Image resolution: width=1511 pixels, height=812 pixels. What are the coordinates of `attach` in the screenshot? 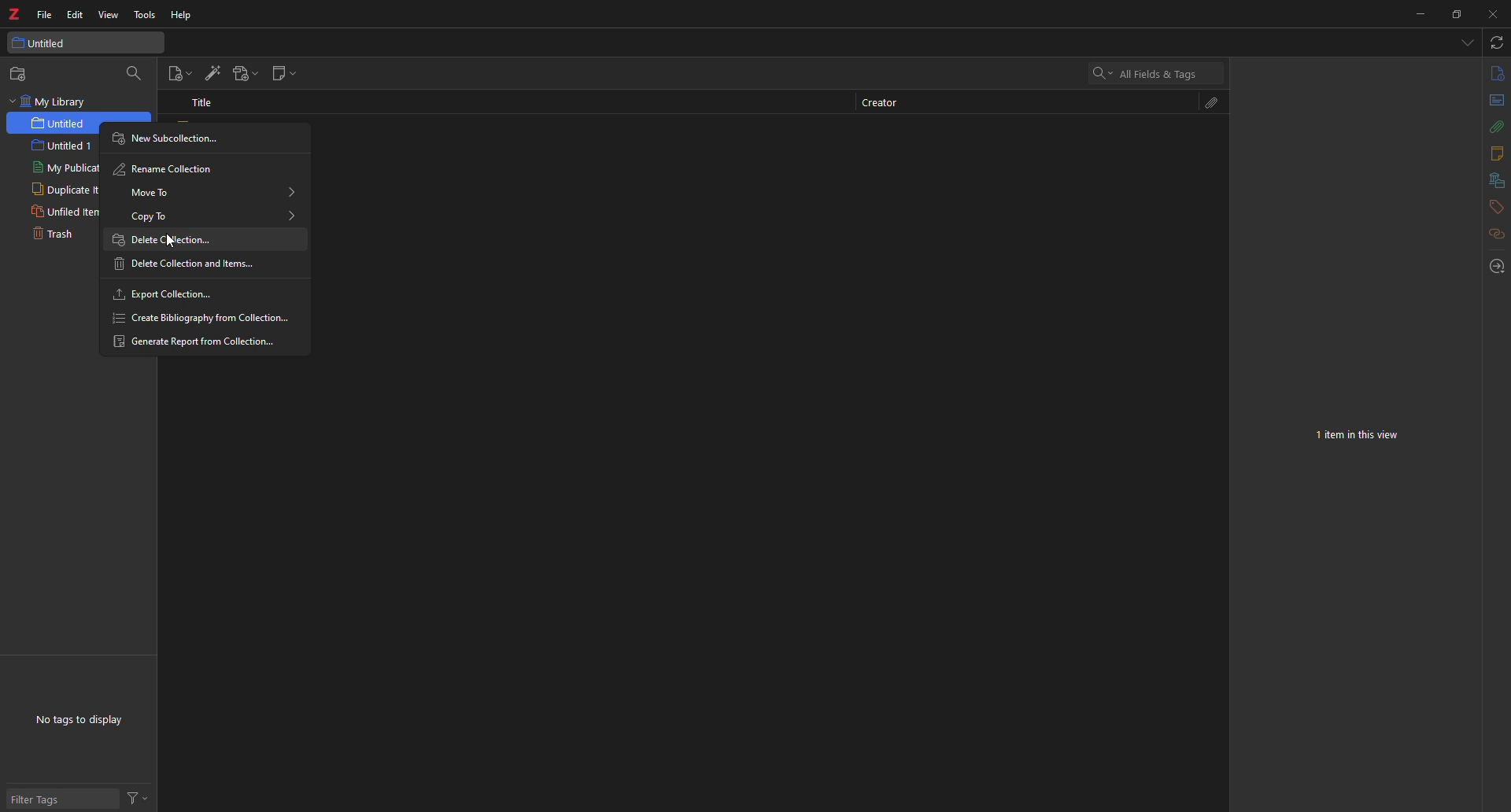 It's located at (1491, 127).